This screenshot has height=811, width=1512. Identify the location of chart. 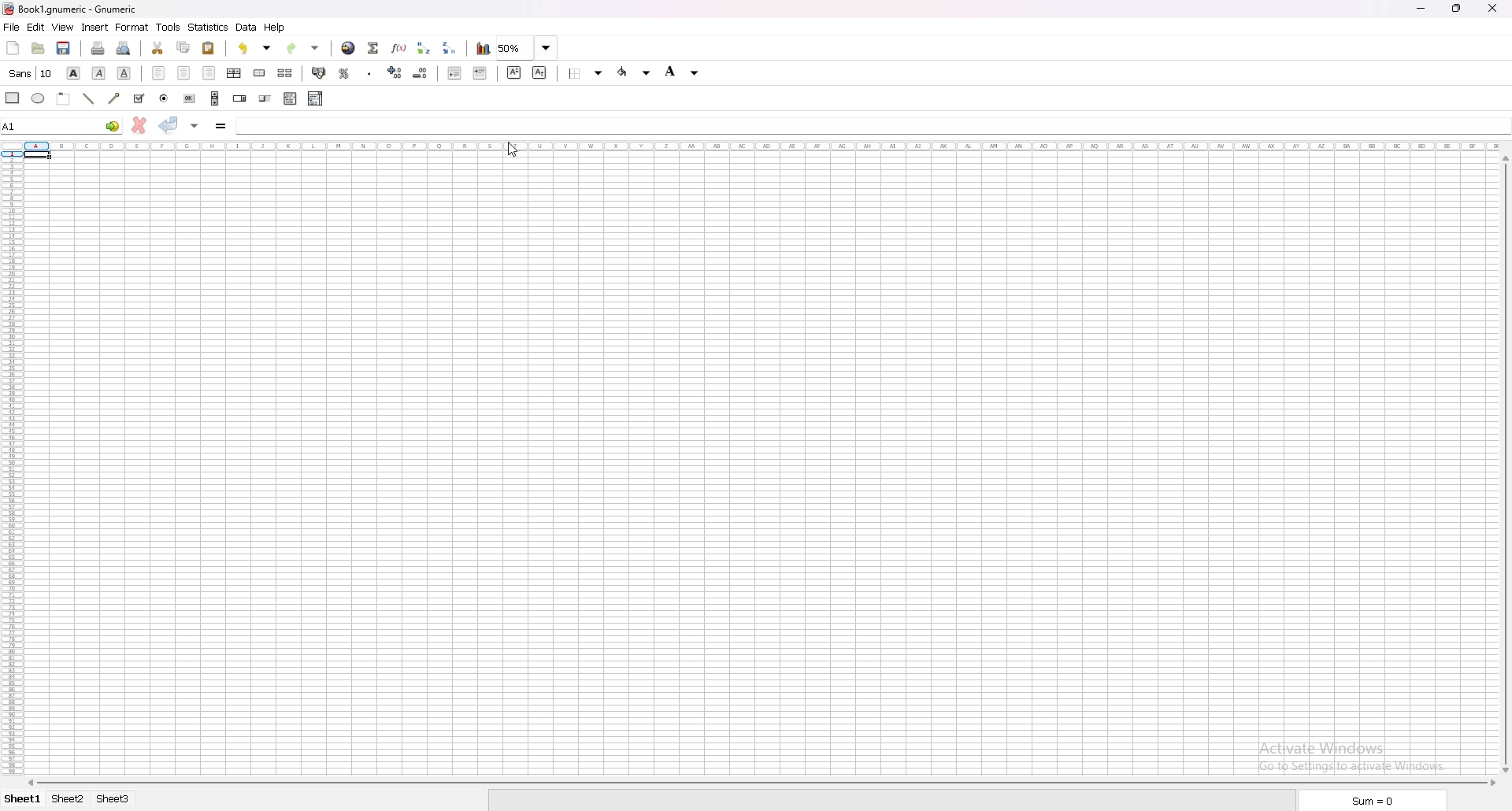
(483, 50).